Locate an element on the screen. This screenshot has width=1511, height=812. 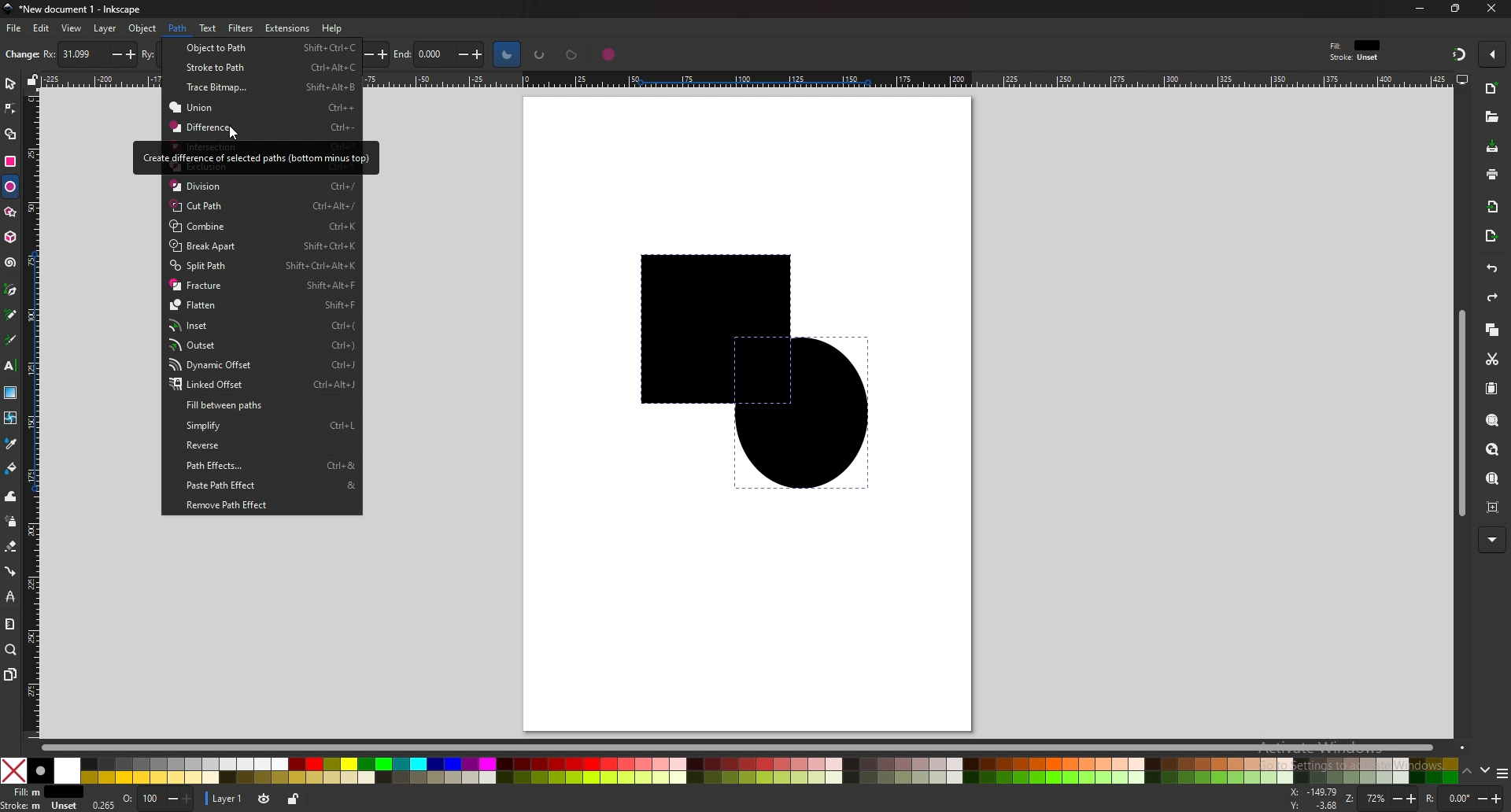
layer is located at coordinates (106, 29).